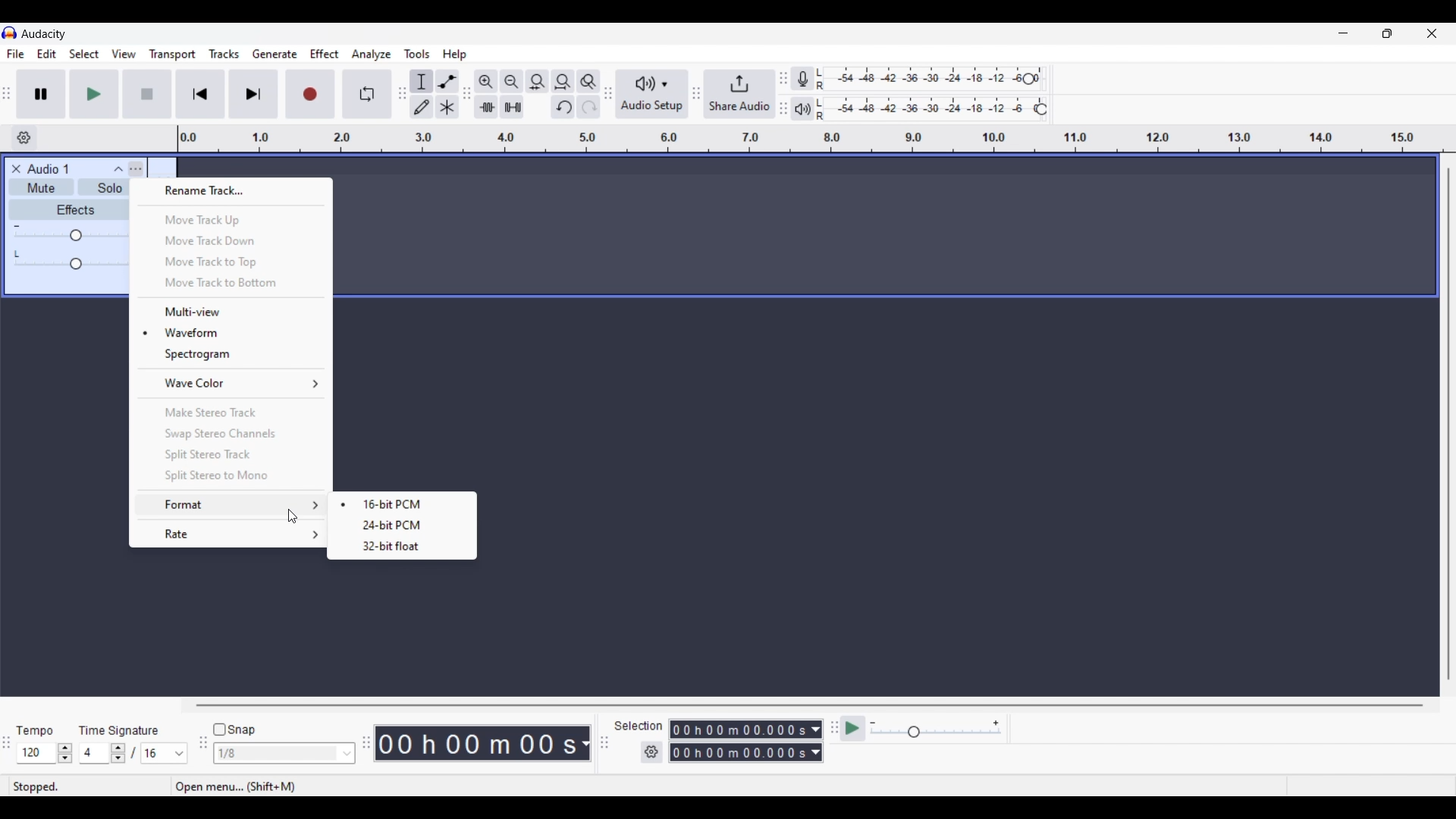 Image resolution: width=1456 pixels, height=819 pixels. I want to click on Playback level, so click(935, 109).